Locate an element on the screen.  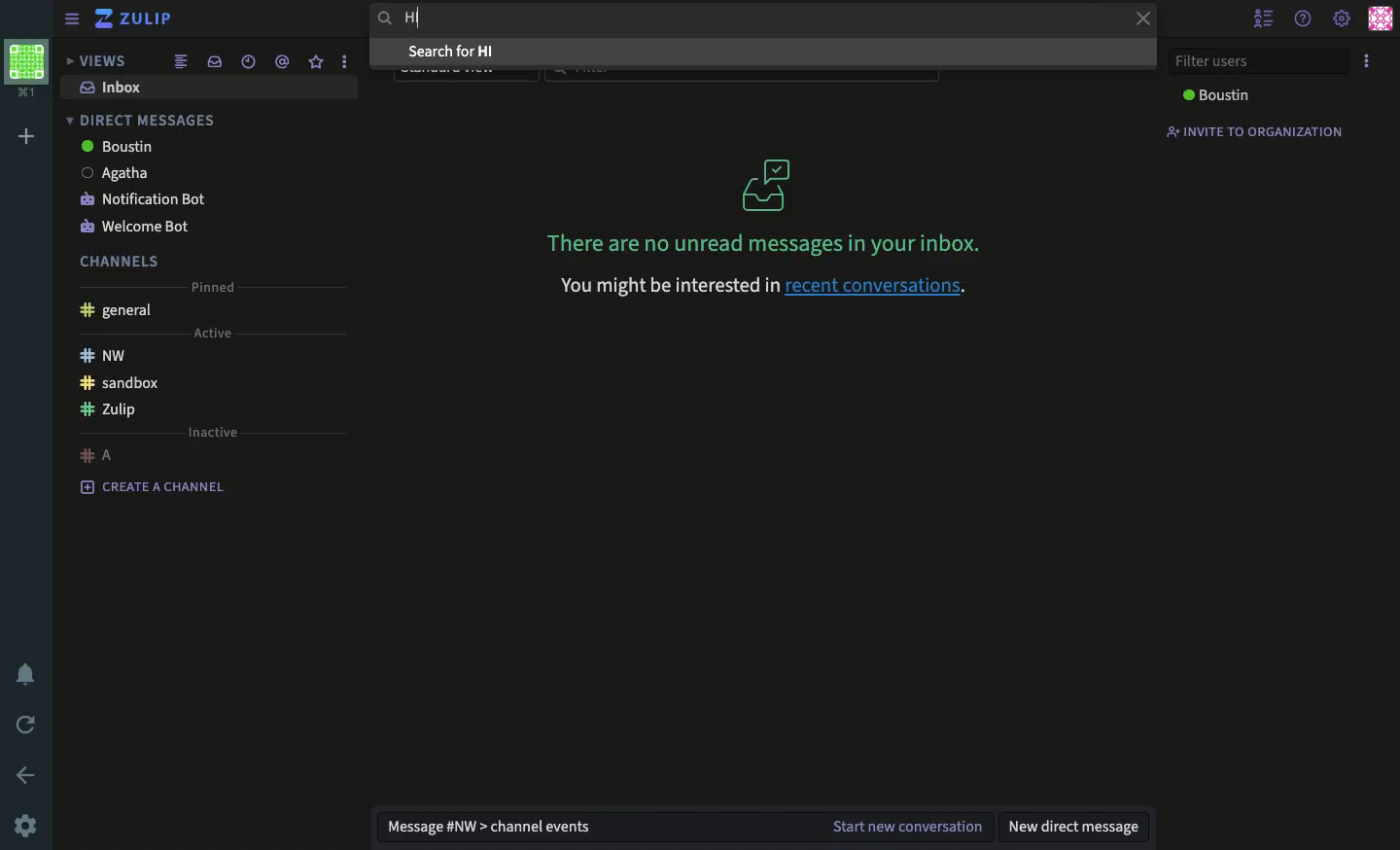
user profile is located at coordinates (1382, 20).